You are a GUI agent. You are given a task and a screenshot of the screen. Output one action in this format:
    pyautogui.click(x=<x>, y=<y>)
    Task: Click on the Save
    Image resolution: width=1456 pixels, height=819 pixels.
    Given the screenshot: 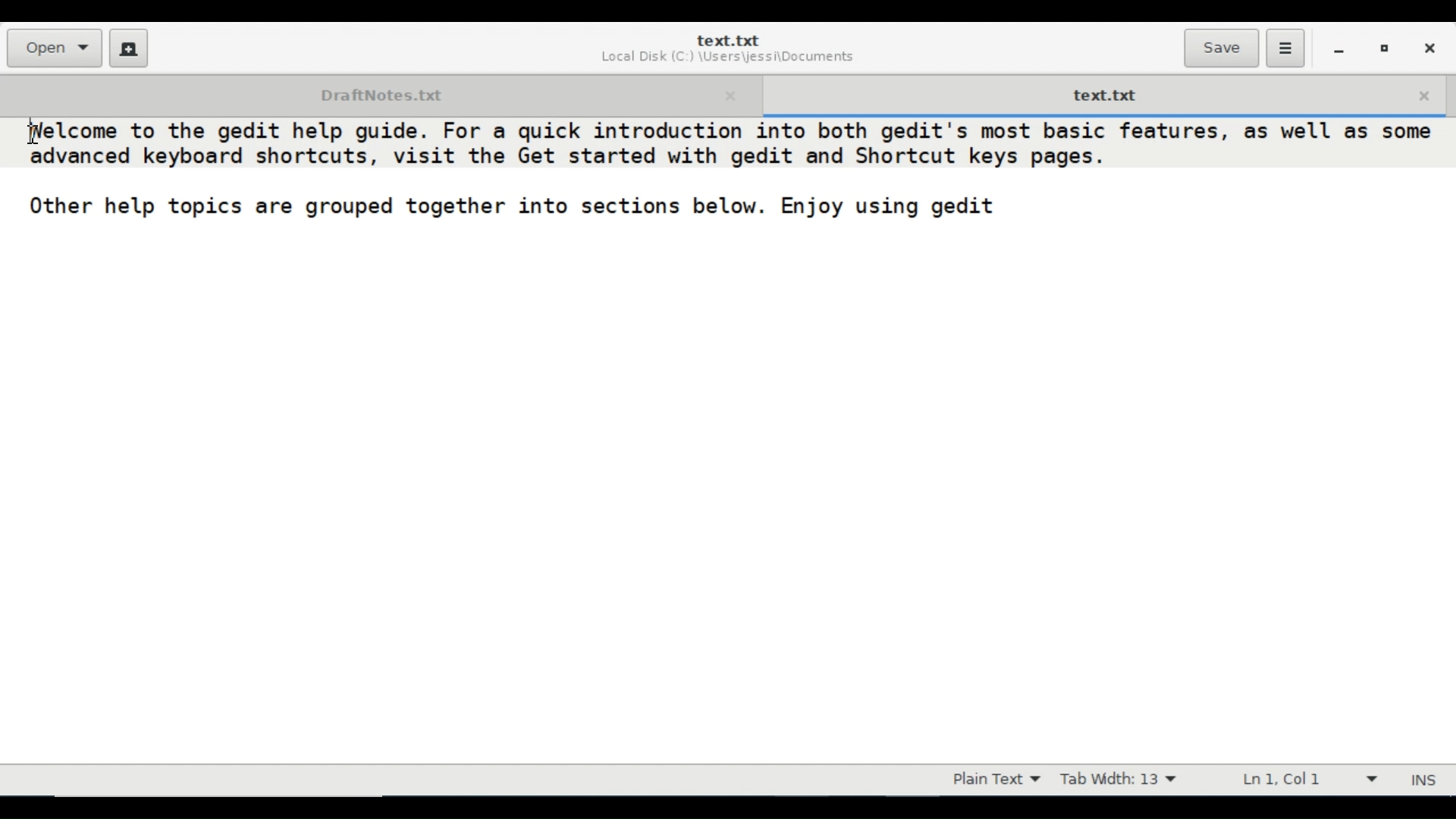 What is the action you would take?
    pyautogui.click(x=1221, y=48)
    